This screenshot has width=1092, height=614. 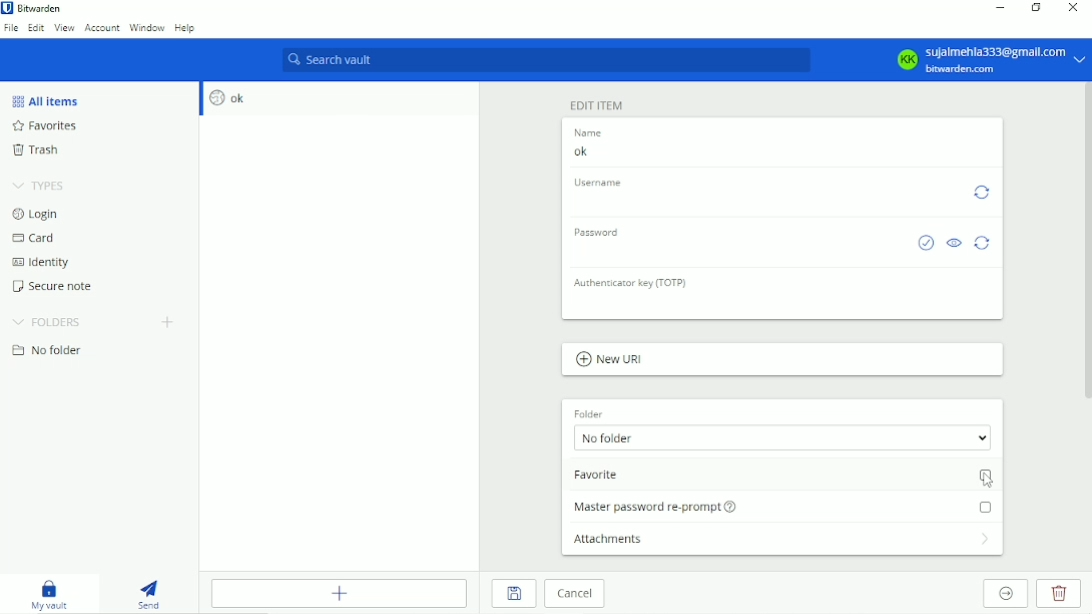 I want to click on Minimize, so click(x=1001, y=7).